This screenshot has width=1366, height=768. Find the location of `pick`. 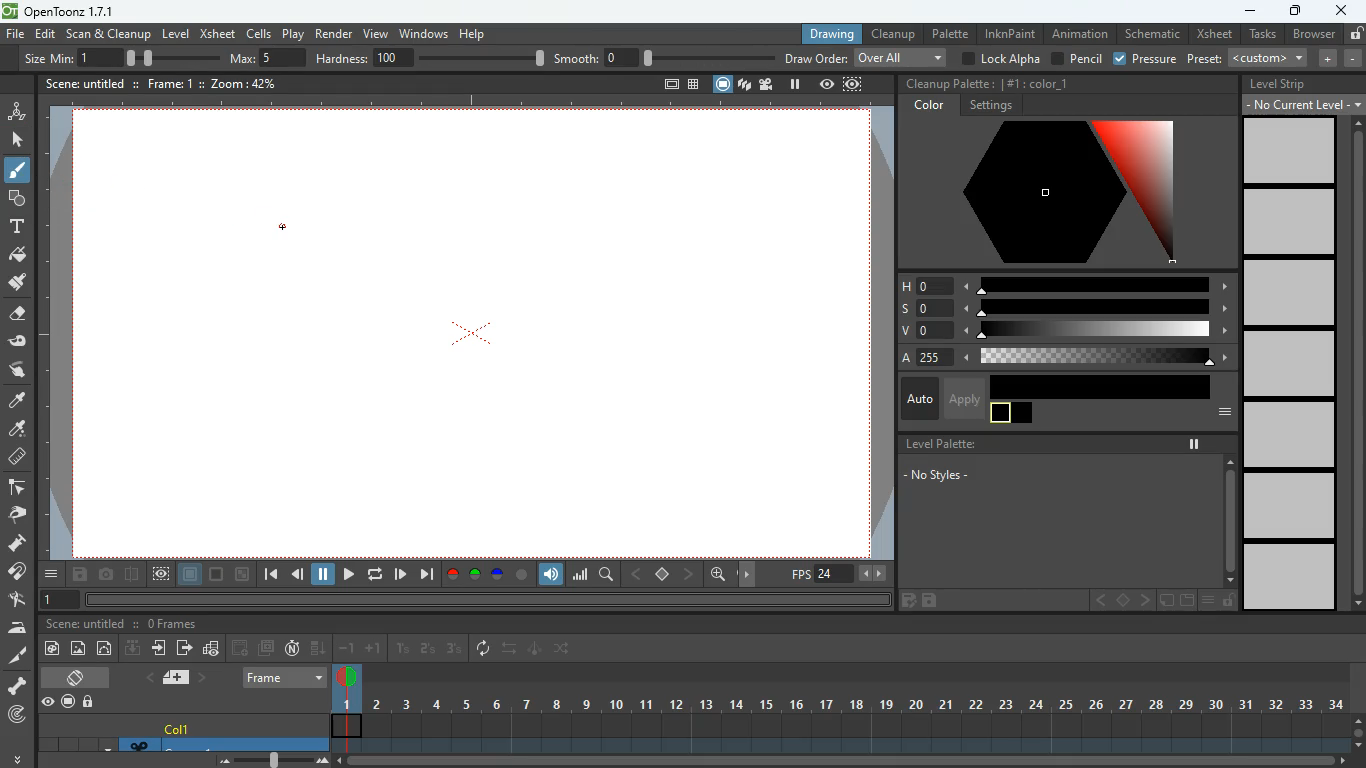

pick is located at coordinates (15, 515).